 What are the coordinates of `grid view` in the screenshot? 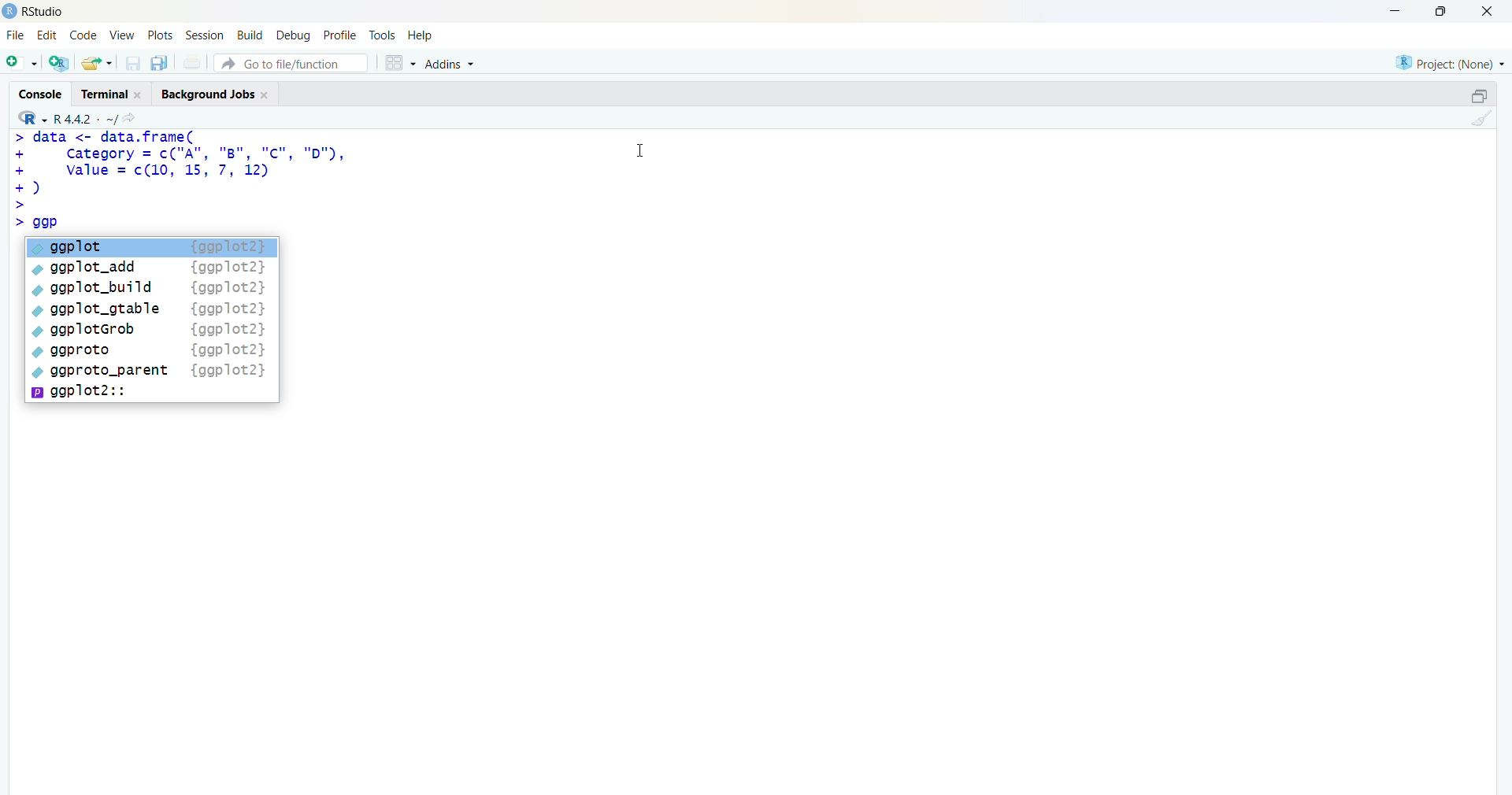 It's located at (399, 62).